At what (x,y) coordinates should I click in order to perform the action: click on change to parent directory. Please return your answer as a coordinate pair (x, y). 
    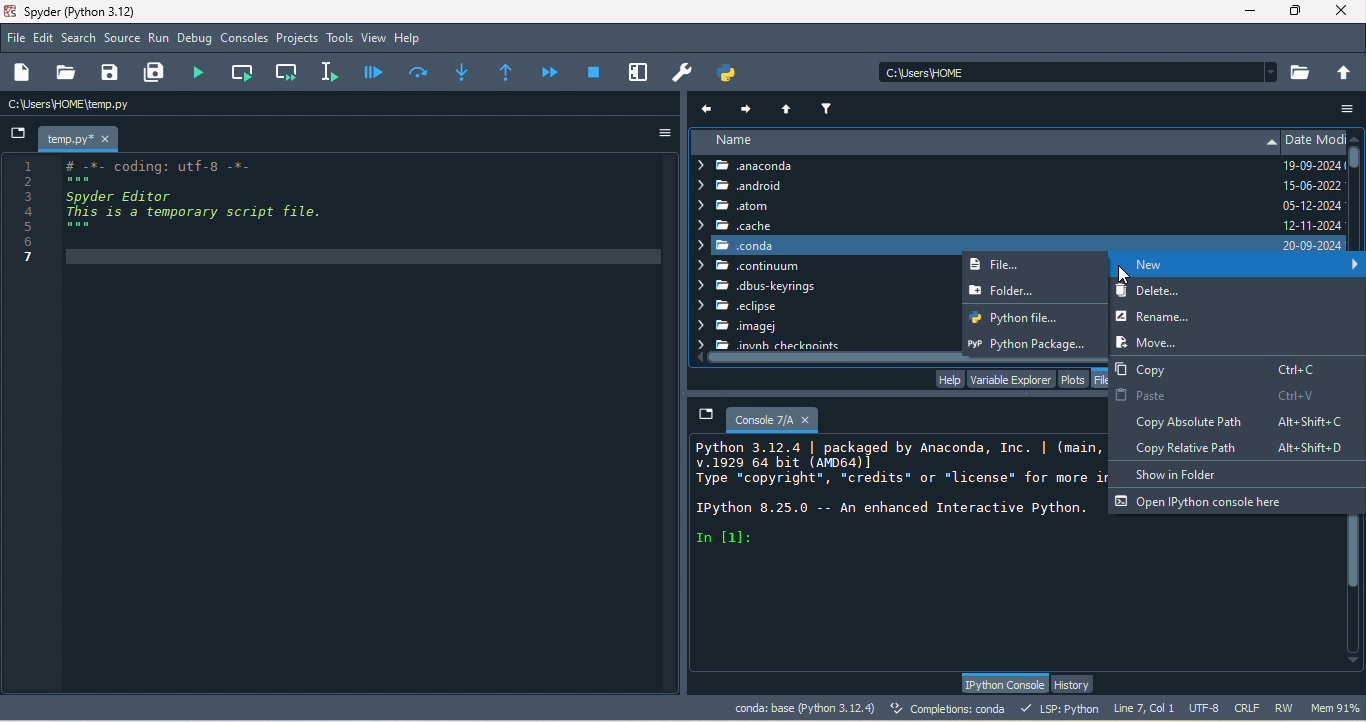
    Looking at the image, I should click on (1345, 71).